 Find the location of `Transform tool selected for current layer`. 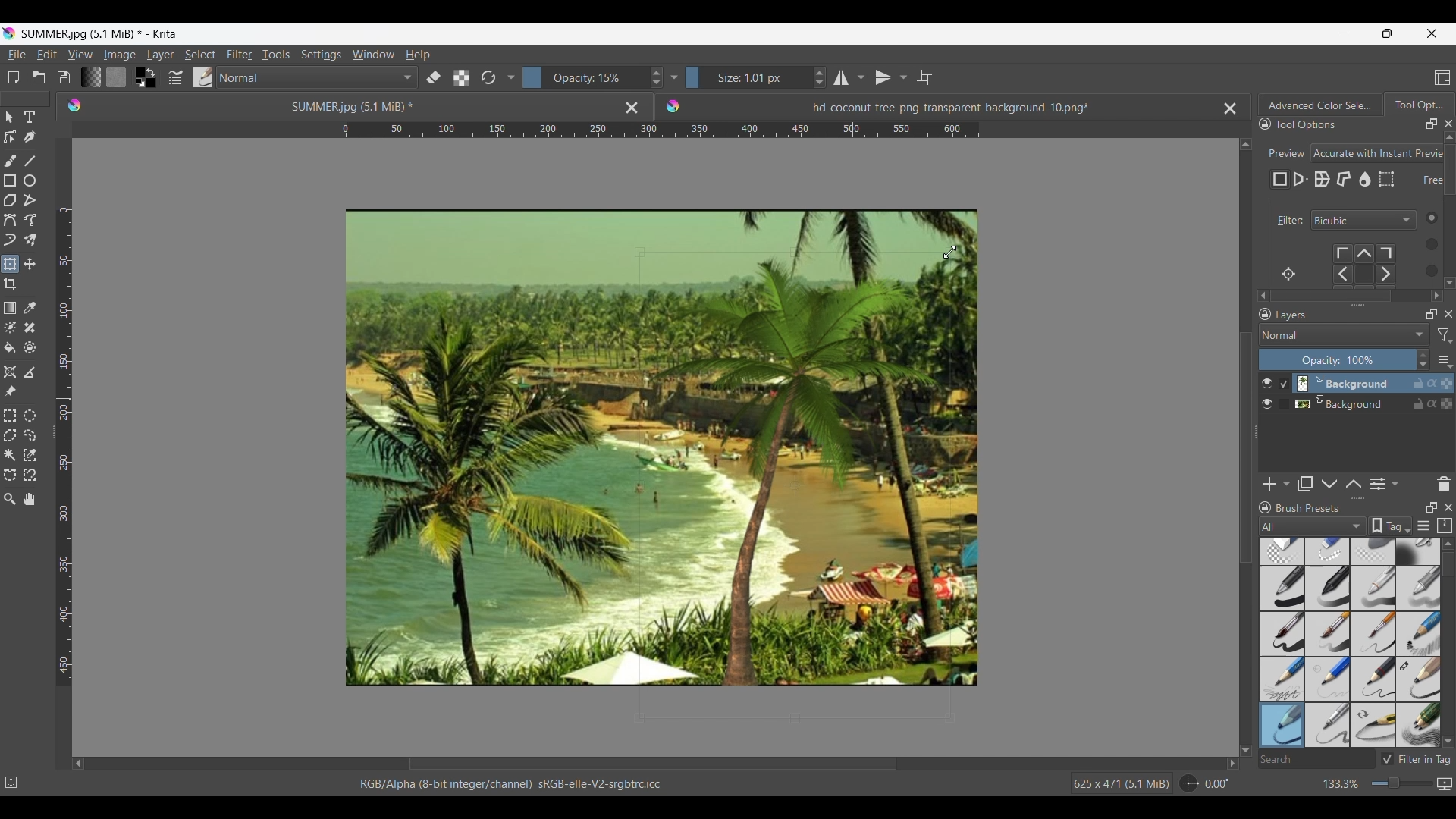

Transform tool selected for current layer is located at coordinates (745, 557).